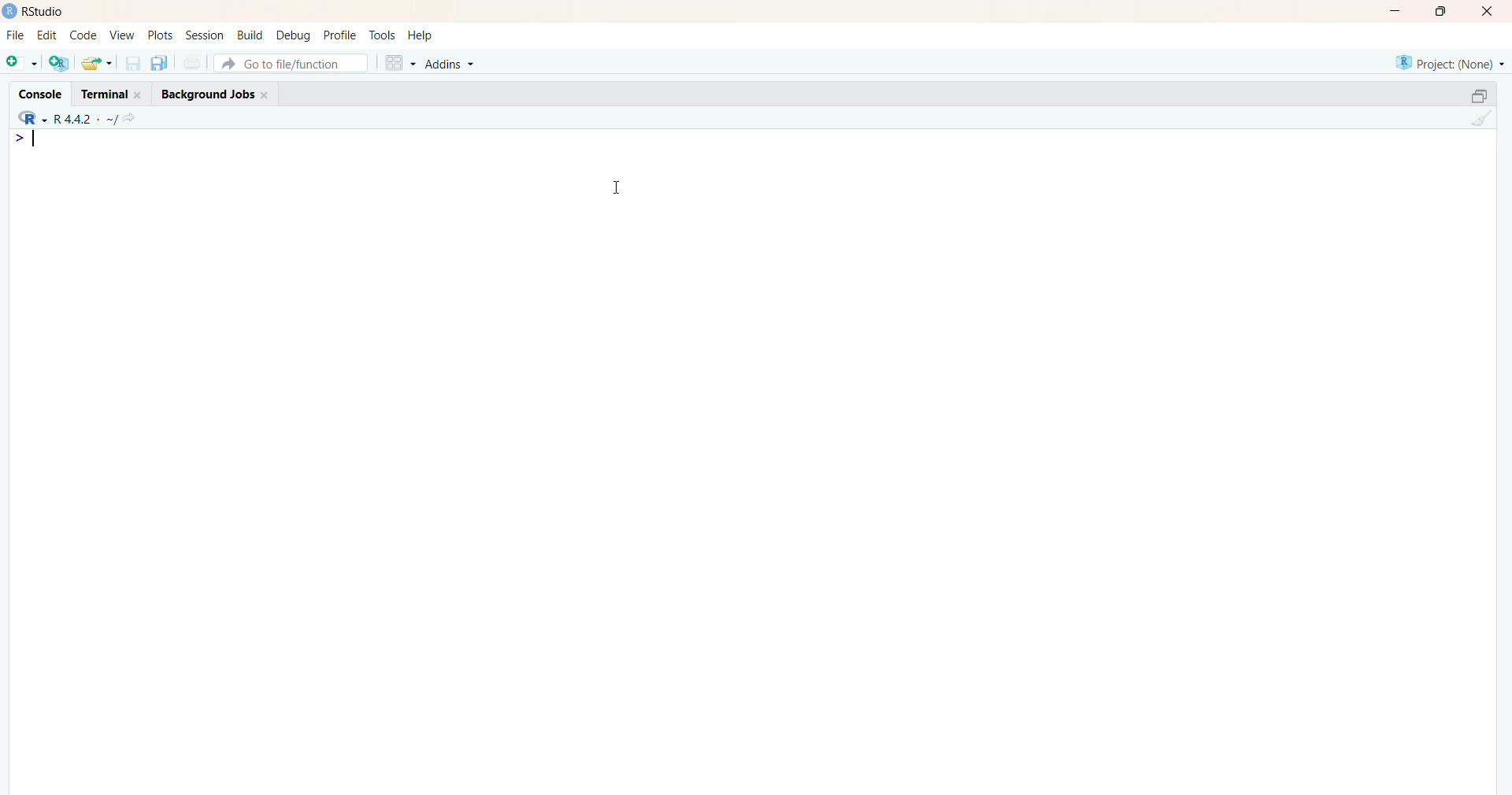 This screenshot has height=795, width=1512. What do you see at coordinates (21, 65) in the screenshot?
I see `new file` at bounding box center [21, 65].